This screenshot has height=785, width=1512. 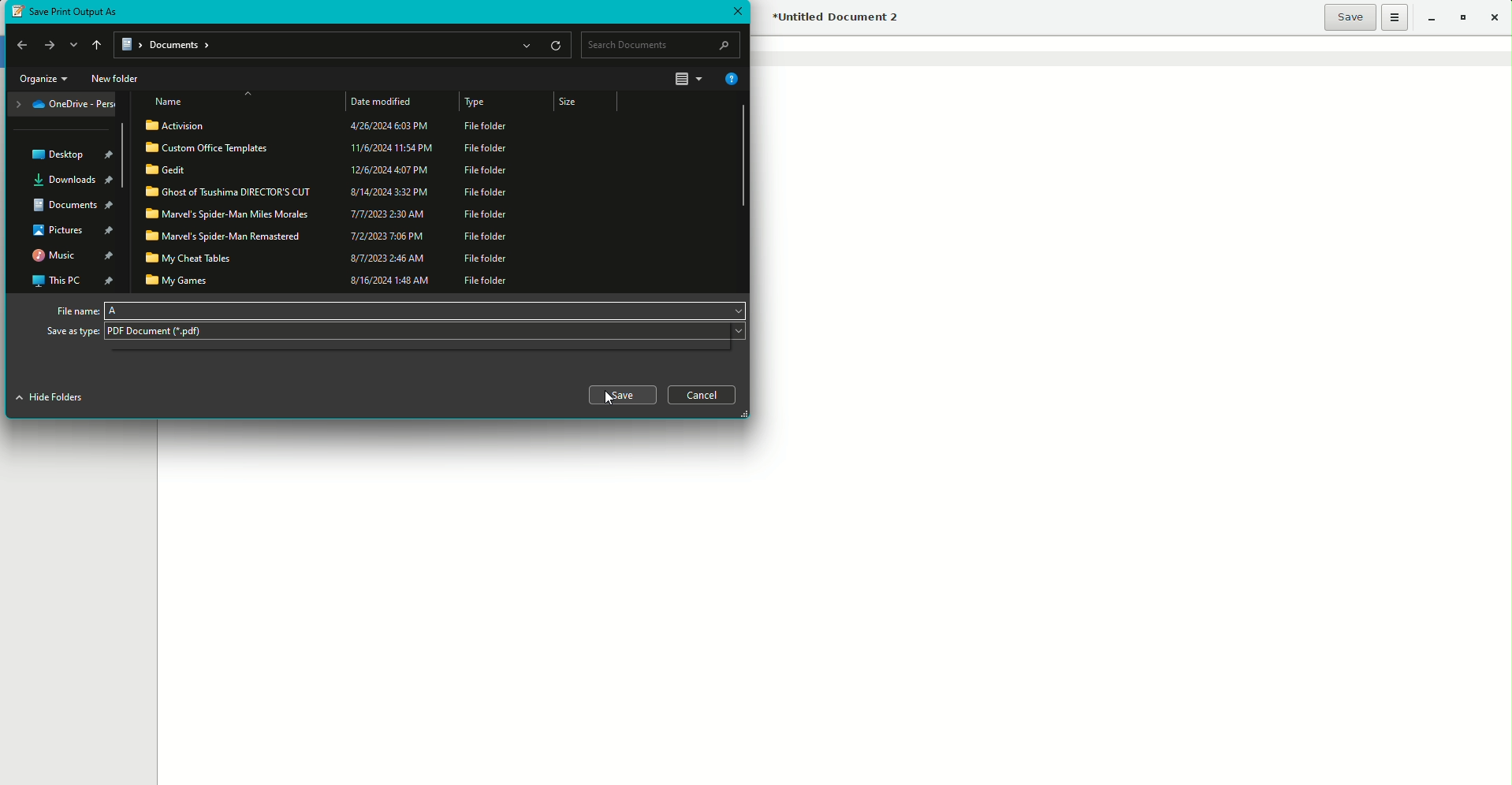 What do you see at coordinates (331, 259) in the screenshot?
I see `Cheat tables` at bounding box center [331, 259].